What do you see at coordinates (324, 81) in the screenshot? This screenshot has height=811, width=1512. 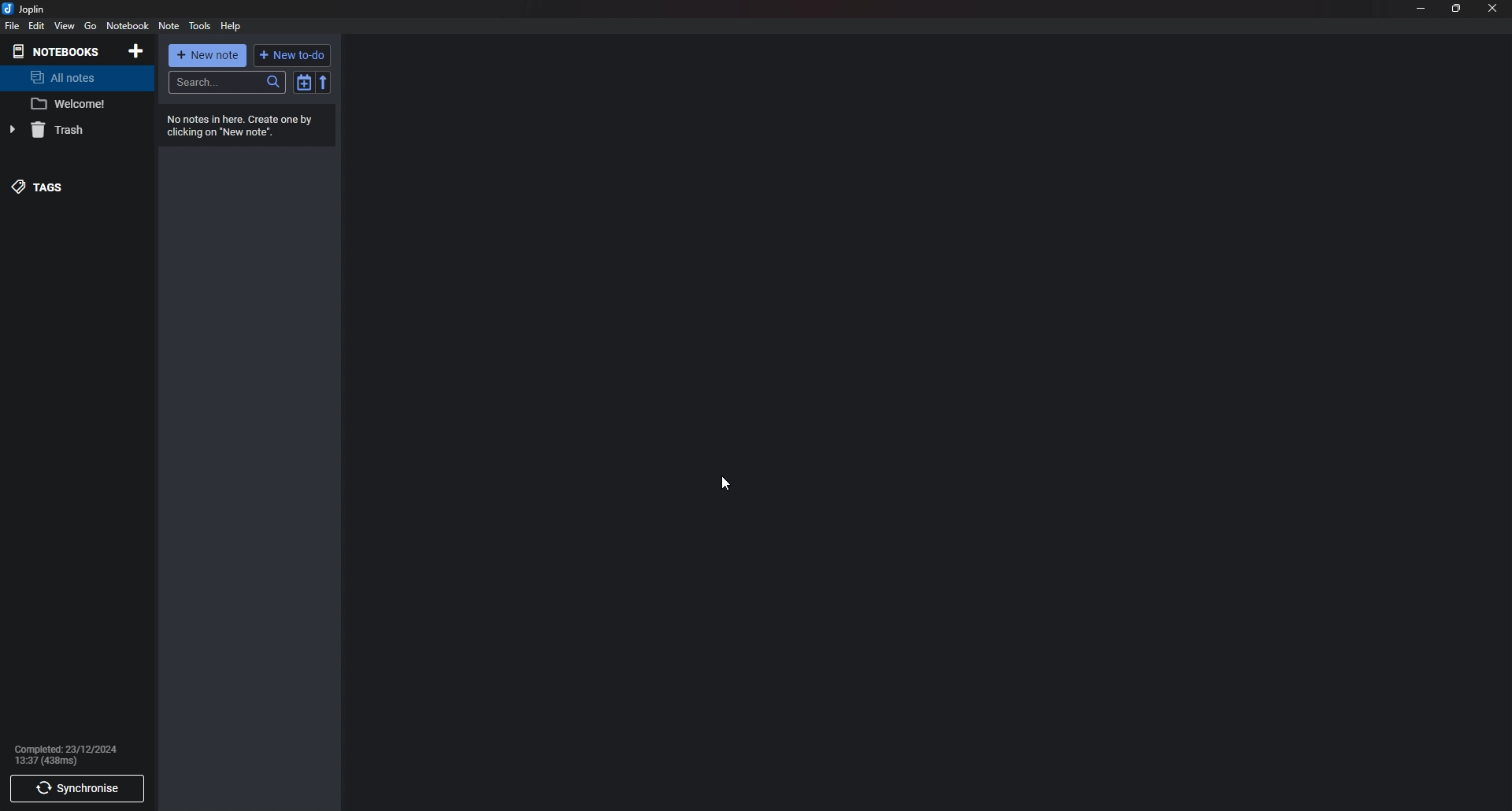 I see `Reverse sort order` at bounding box center [324, 81].